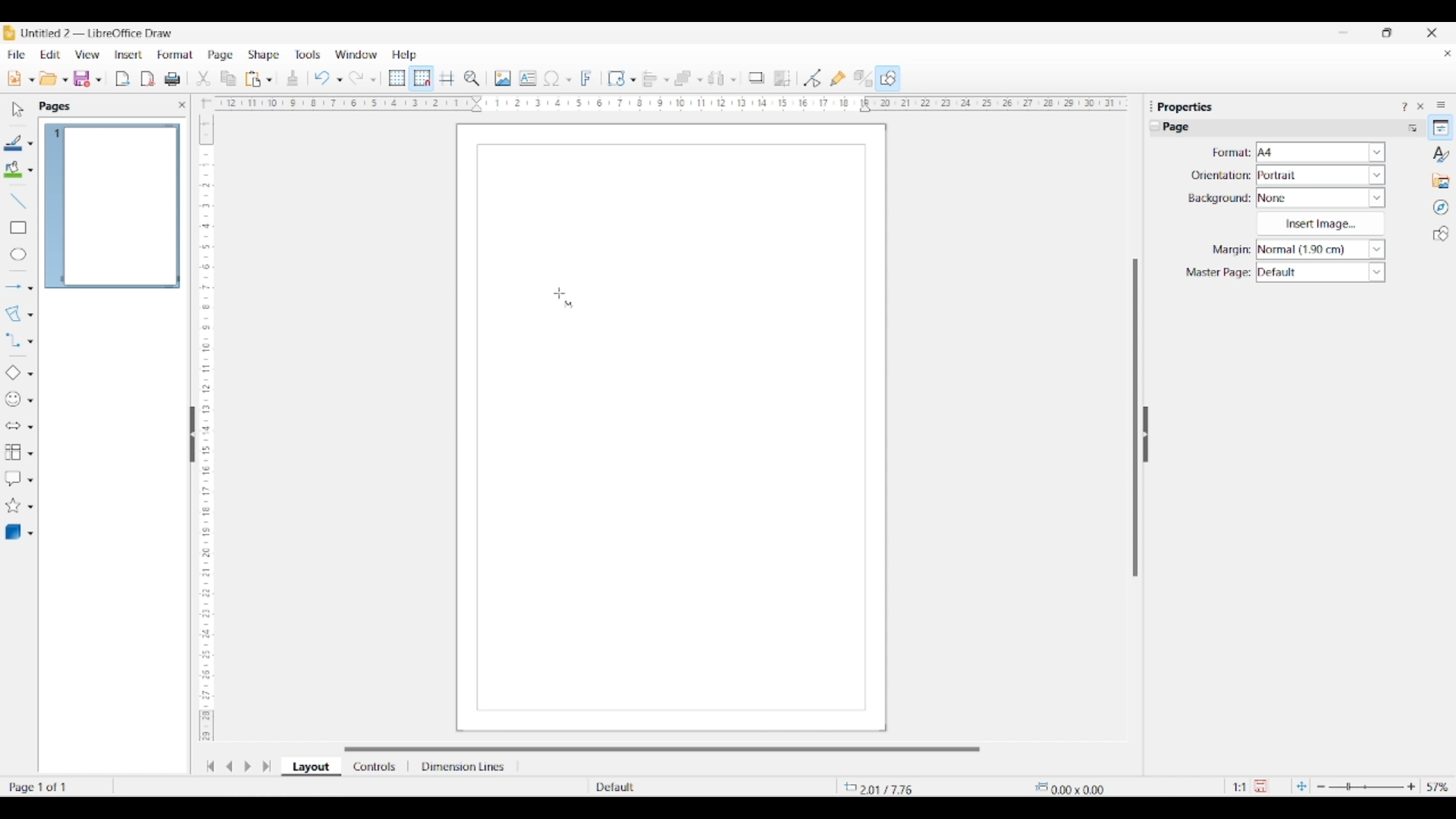 Image resolution: width=1456 pixels, height=819 pixels. I want to click on Gallery, so click(1441, 180).